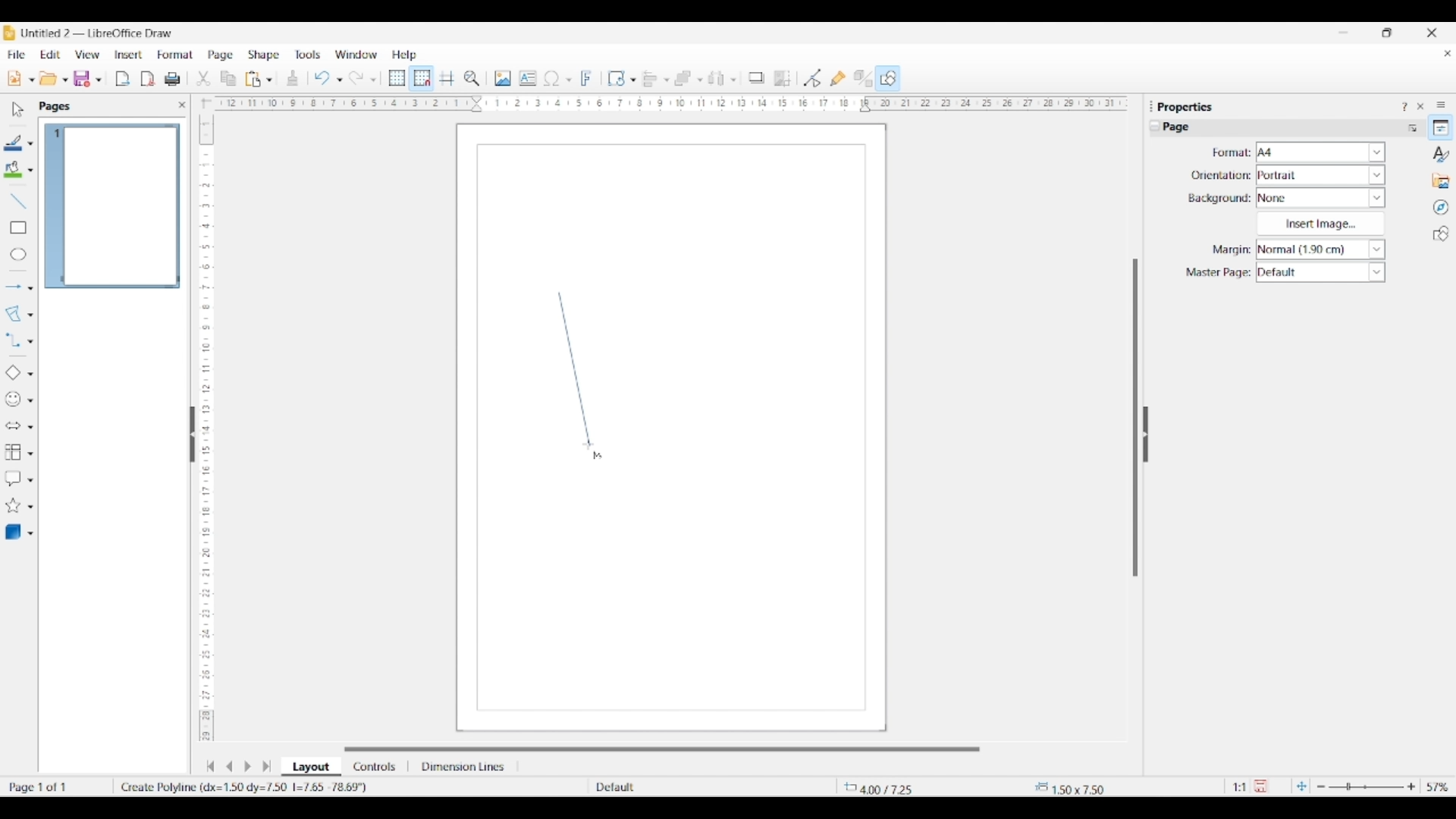 The width and height of the screenshot is (1456, 819). Describe the element at coordinates (569, 80) in the screenshot. I see `Special character options` at that location.